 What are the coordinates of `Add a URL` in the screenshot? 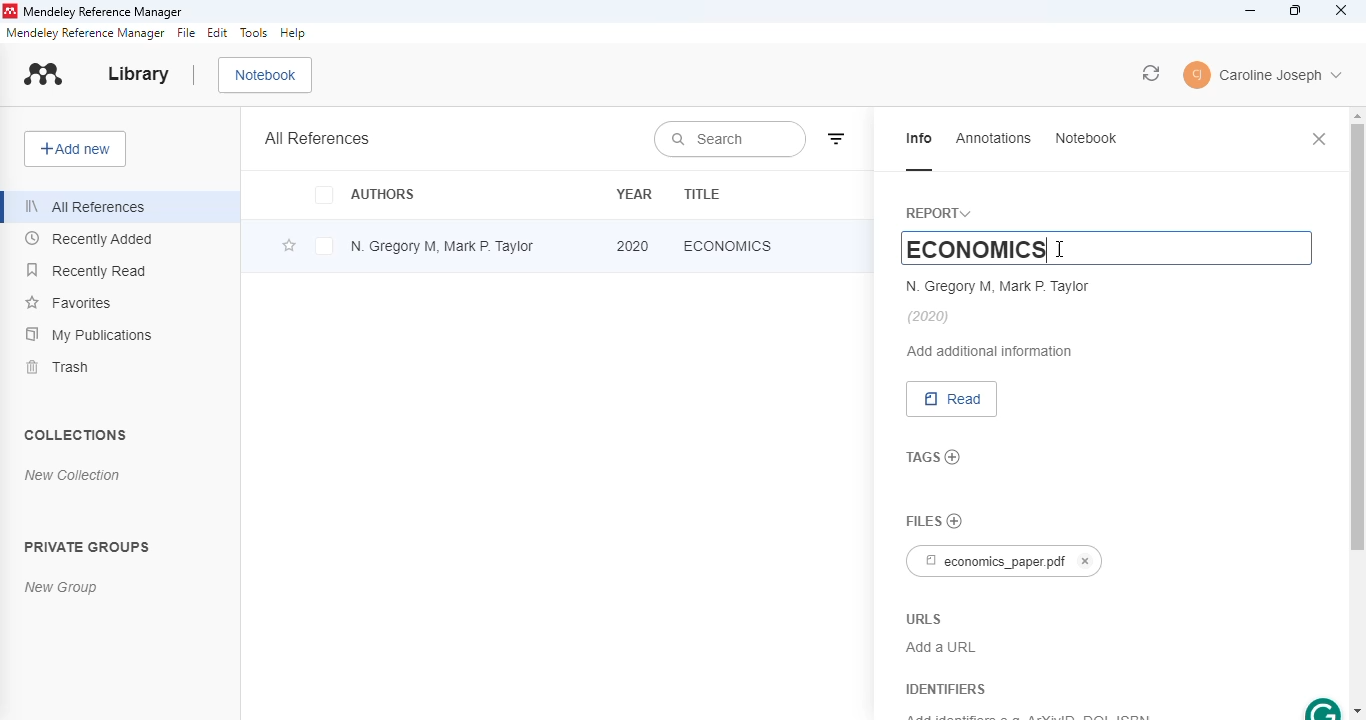 It's located at (941, 646).